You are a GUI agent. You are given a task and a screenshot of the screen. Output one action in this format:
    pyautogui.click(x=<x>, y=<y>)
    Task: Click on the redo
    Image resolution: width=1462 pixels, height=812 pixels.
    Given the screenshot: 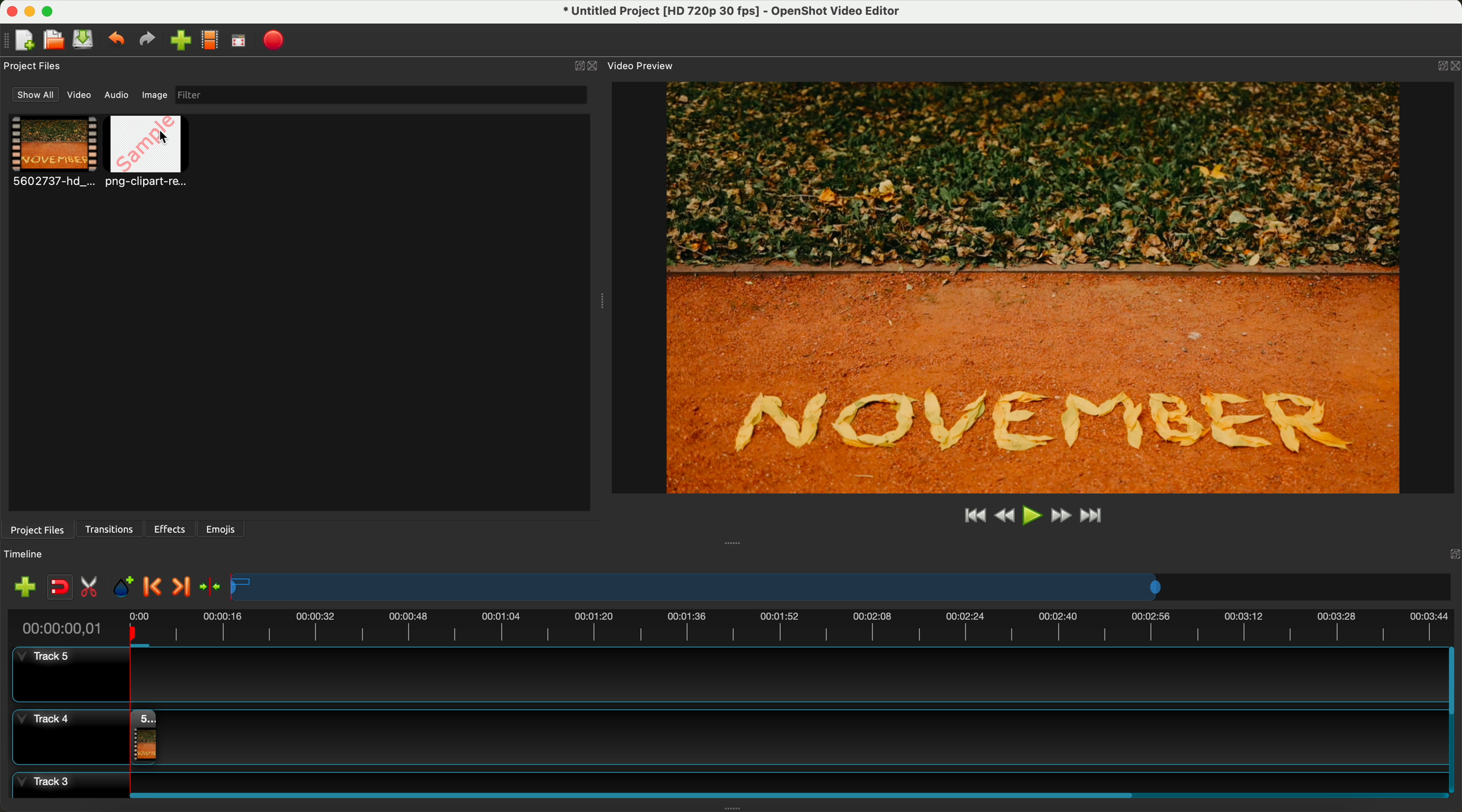 What is the action you would take?
    pyautogui.click(x=150, y=41)
    